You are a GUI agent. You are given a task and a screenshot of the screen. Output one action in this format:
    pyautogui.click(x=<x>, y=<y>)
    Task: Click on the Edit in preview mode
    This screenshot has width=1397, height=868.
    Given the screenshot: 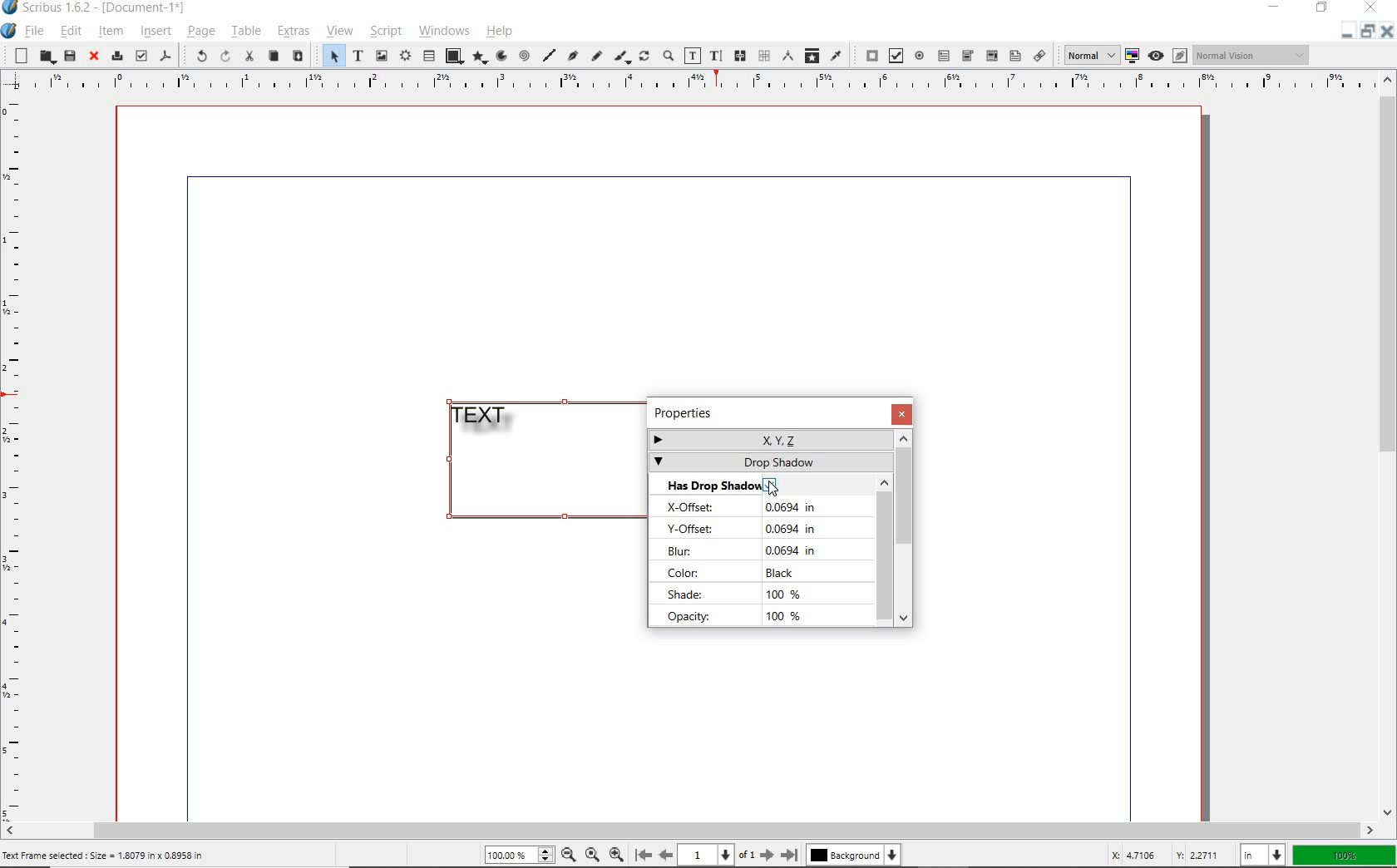 What is the action you would take?
    pyautogui.click(x=1181, y=55)
    